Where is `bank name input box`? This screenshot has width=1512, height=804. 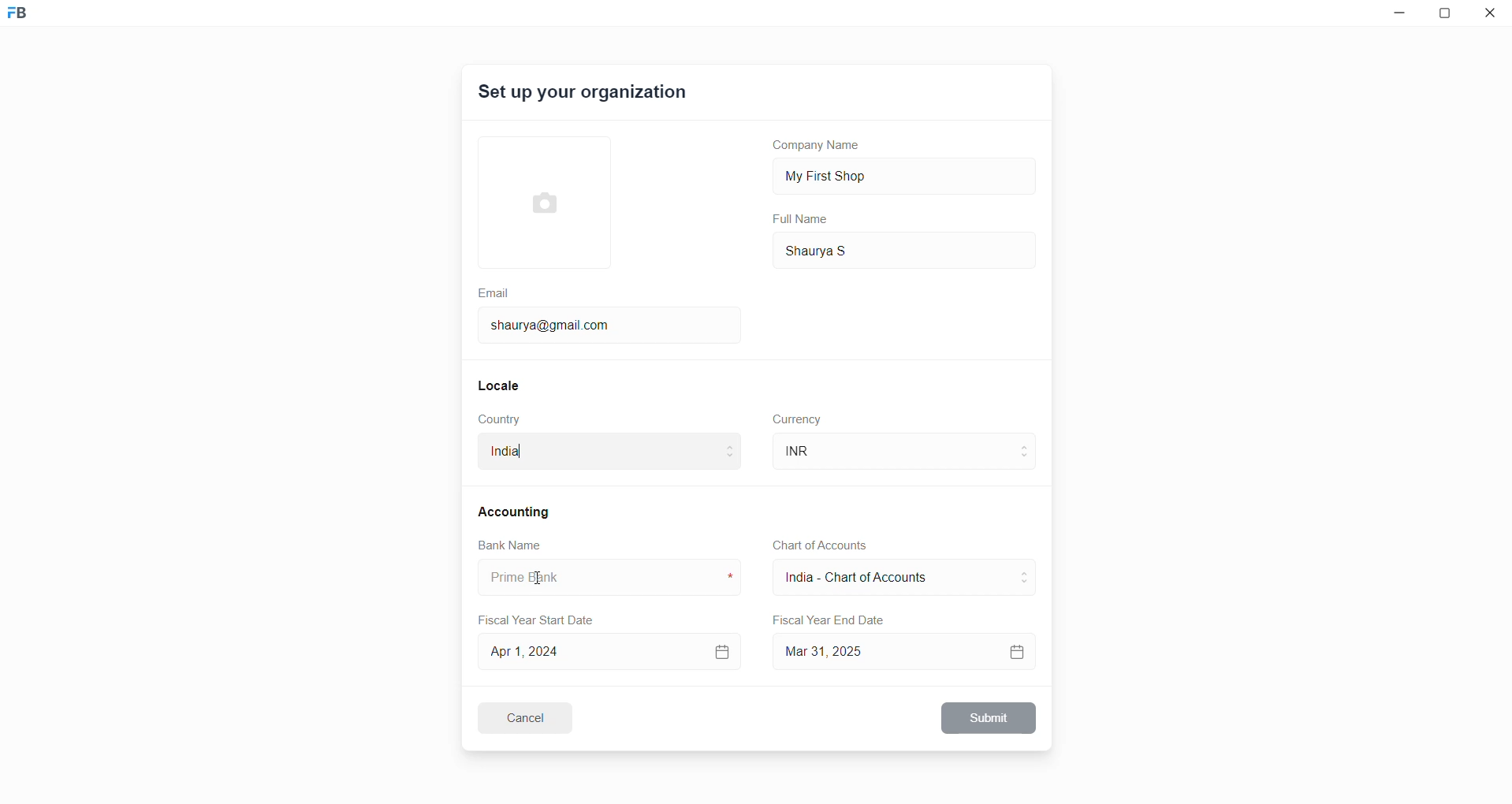
bank name input box is located at coordinates (603, 578).